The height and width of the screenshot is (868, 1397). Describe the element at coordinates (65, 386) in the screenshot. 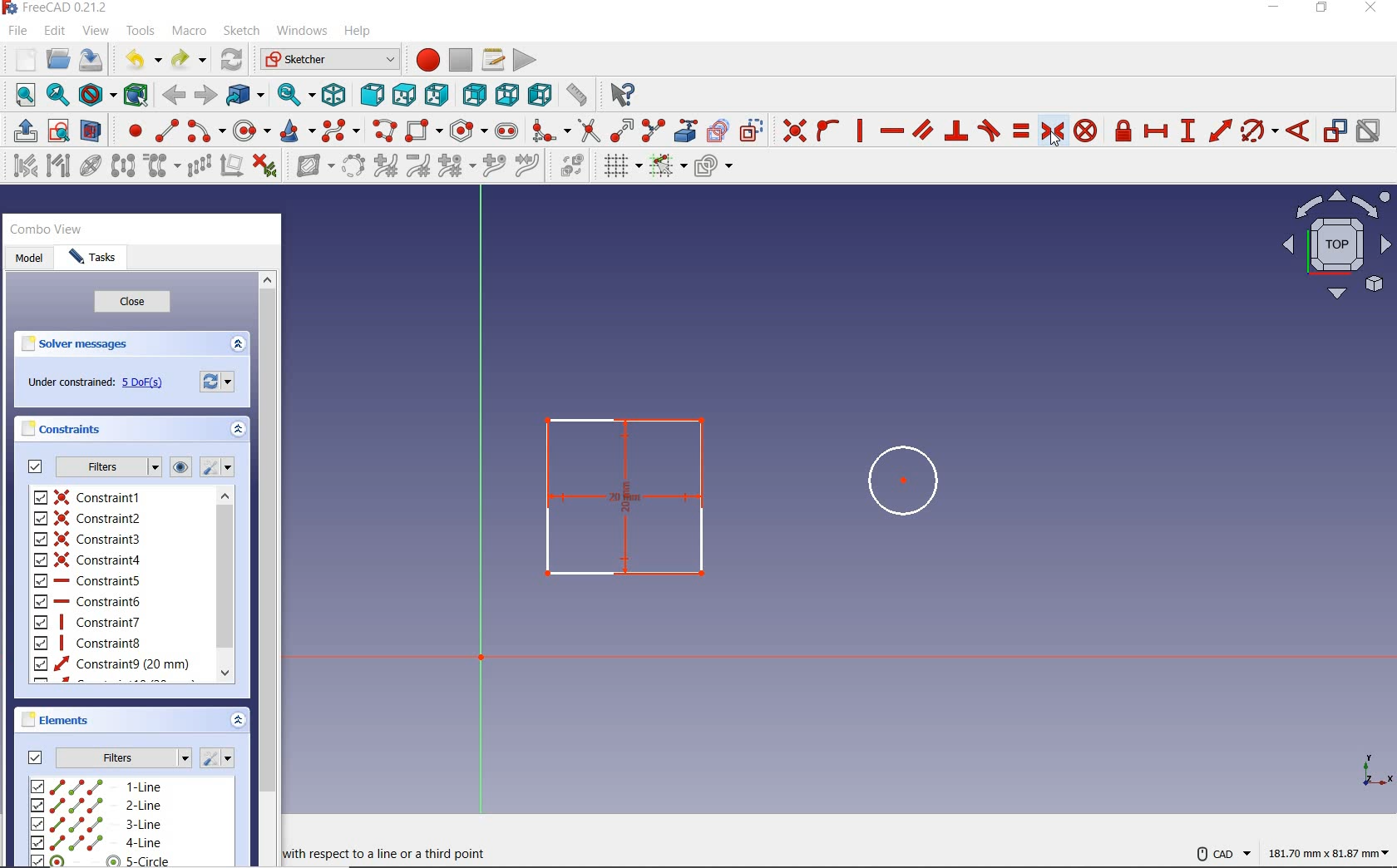

I see `under constrained: ` at that location.